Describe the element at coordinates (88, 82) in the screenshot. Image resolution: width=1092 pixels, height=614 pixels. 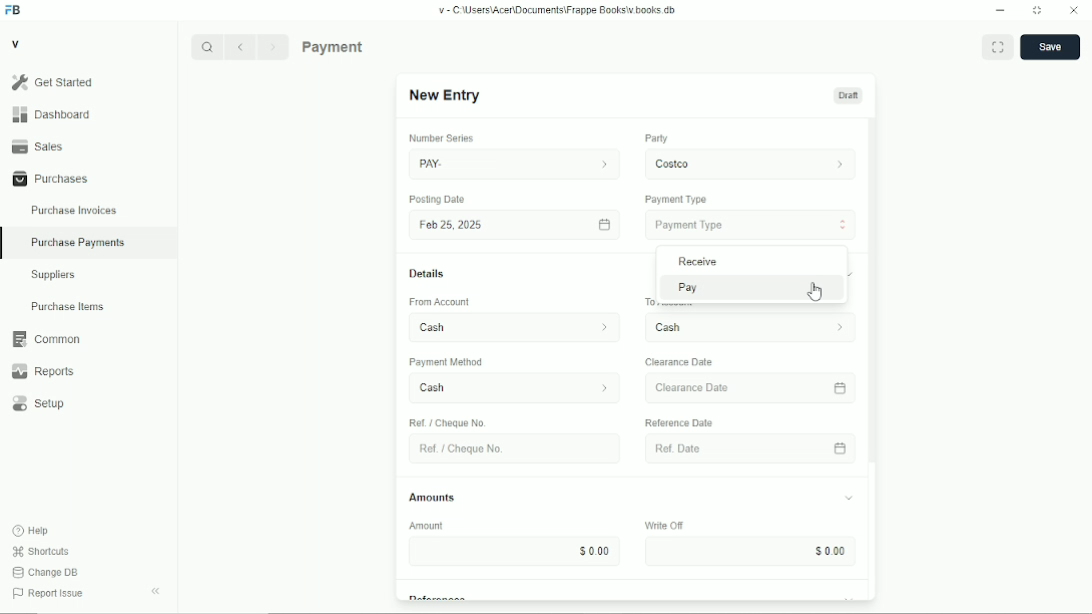
I see `Gel Started` at that location.